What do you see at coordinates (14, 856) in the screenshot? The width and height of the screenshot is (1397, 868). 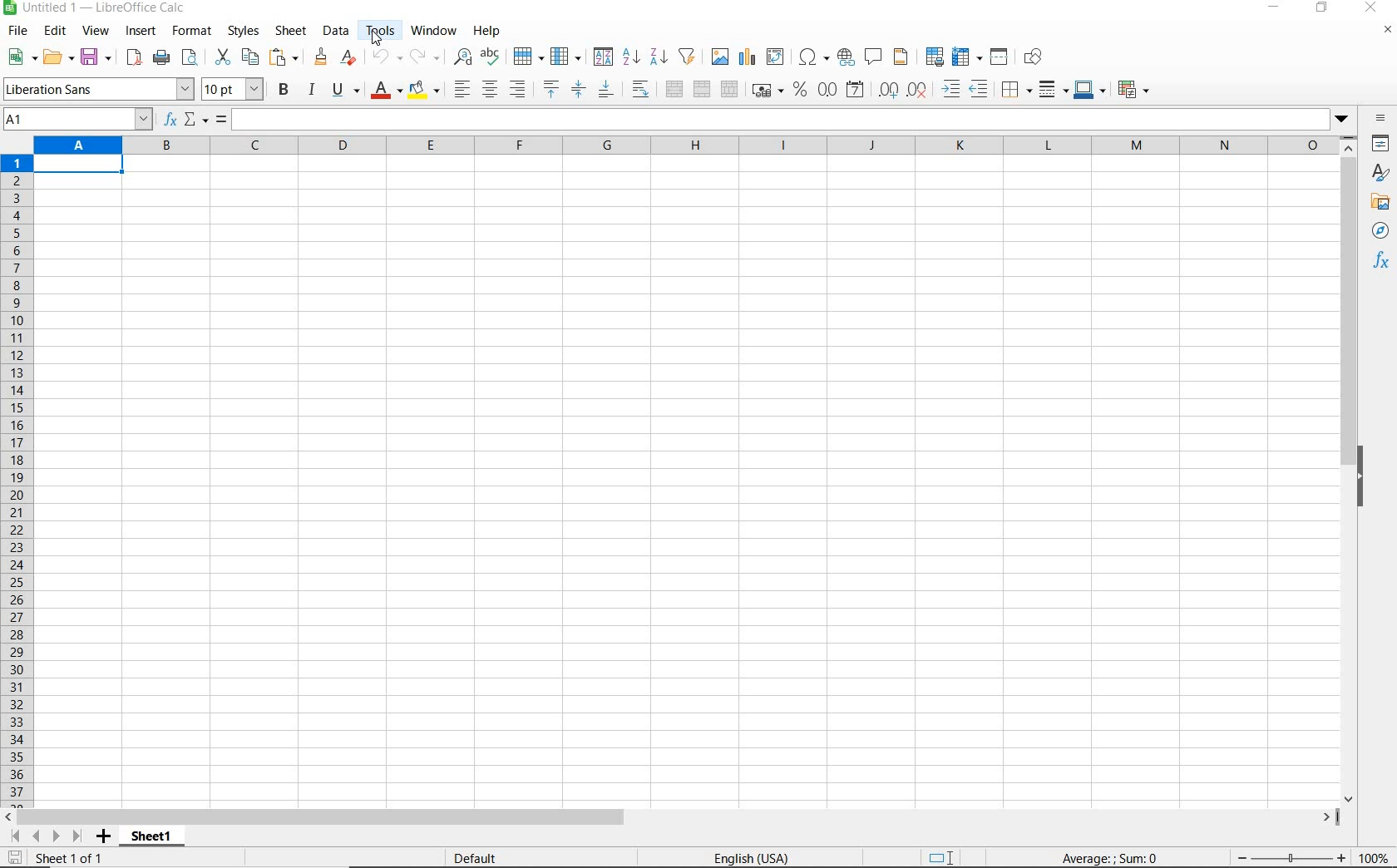 I see `SAVE` at bounding box center [14, 856].